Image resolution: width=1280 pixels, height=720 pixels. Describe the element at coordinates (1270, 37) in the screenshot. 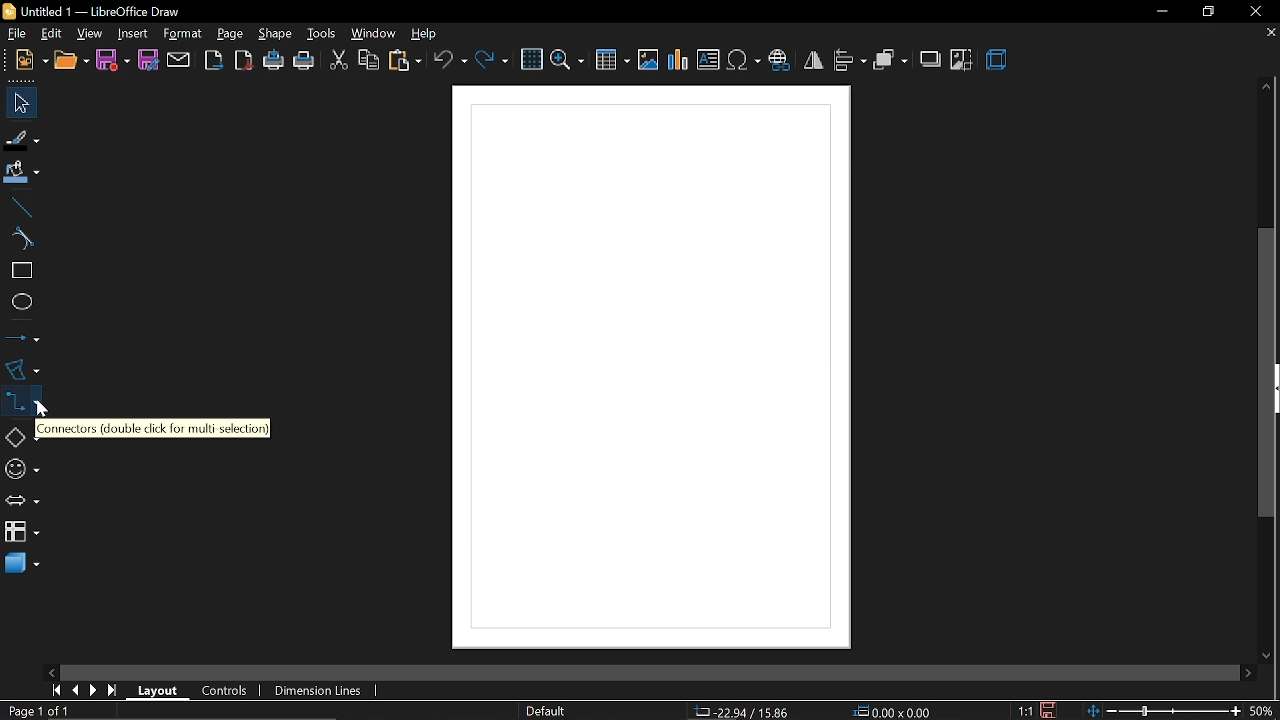

I see `close current tab` at that location.